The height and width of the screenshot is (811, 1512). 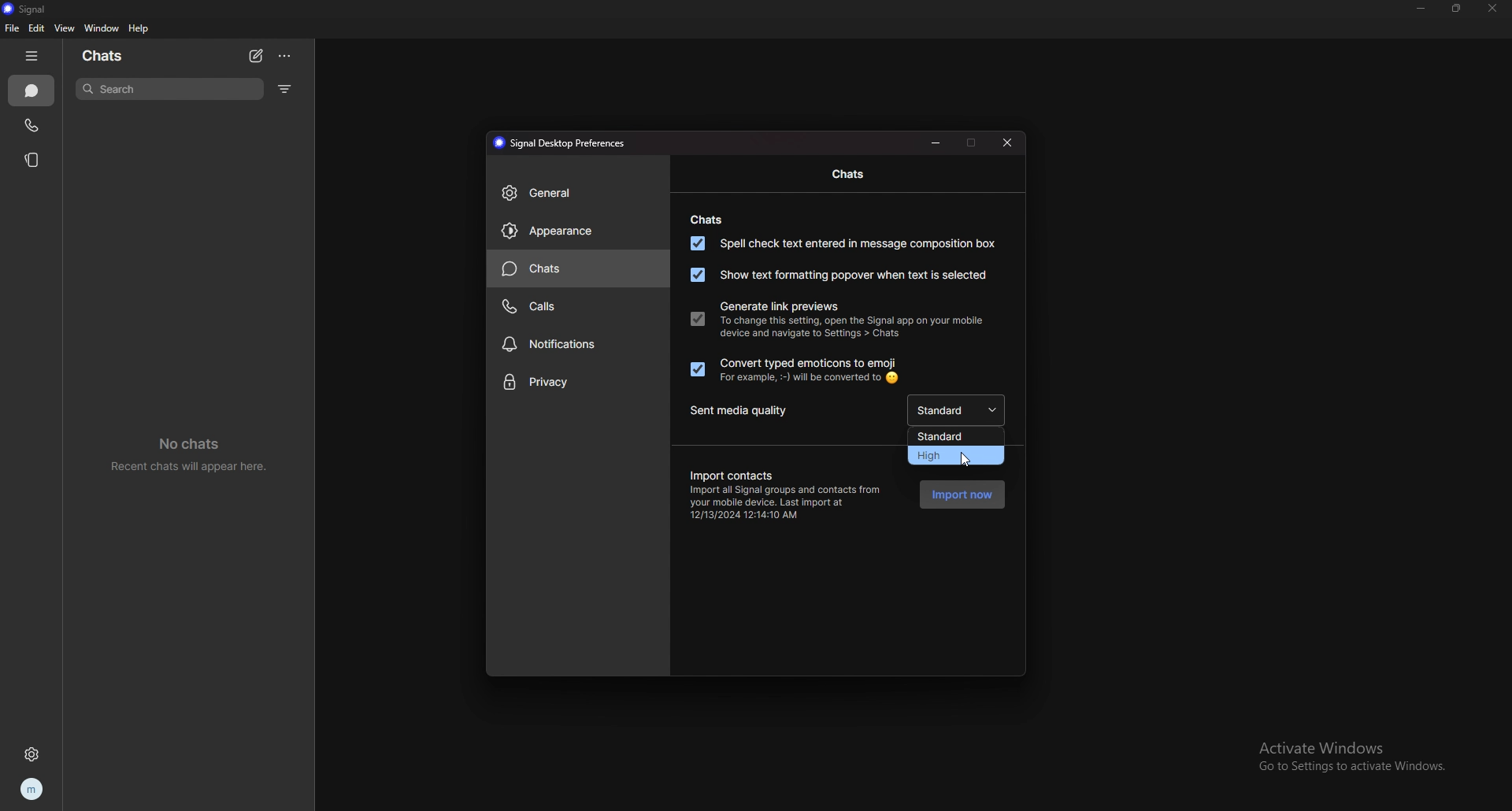 I want to click on hide tab, so click(x=32, y=56).